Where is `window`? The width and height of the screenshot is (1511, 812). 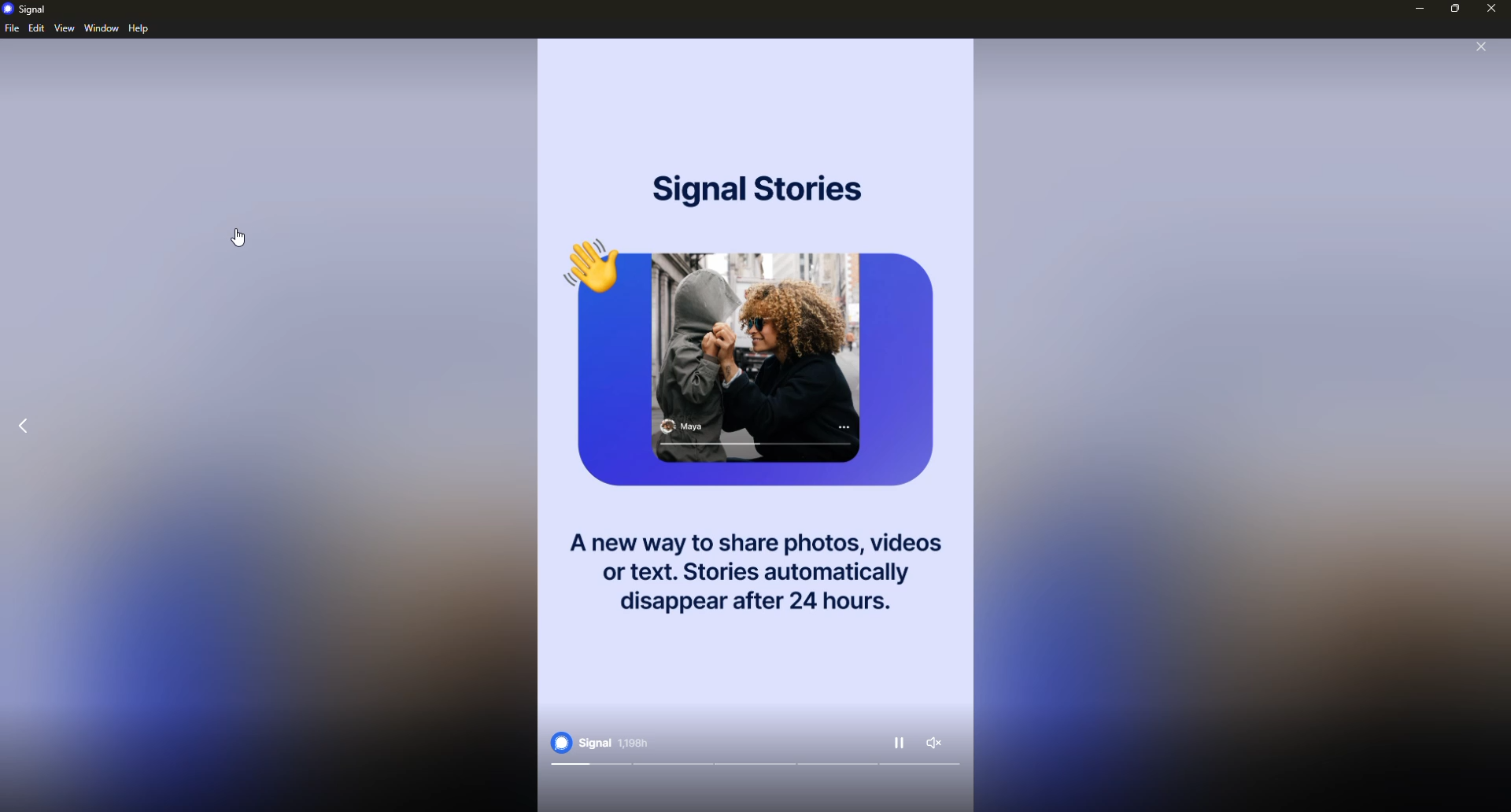 window is located at coordinates (102, 27).